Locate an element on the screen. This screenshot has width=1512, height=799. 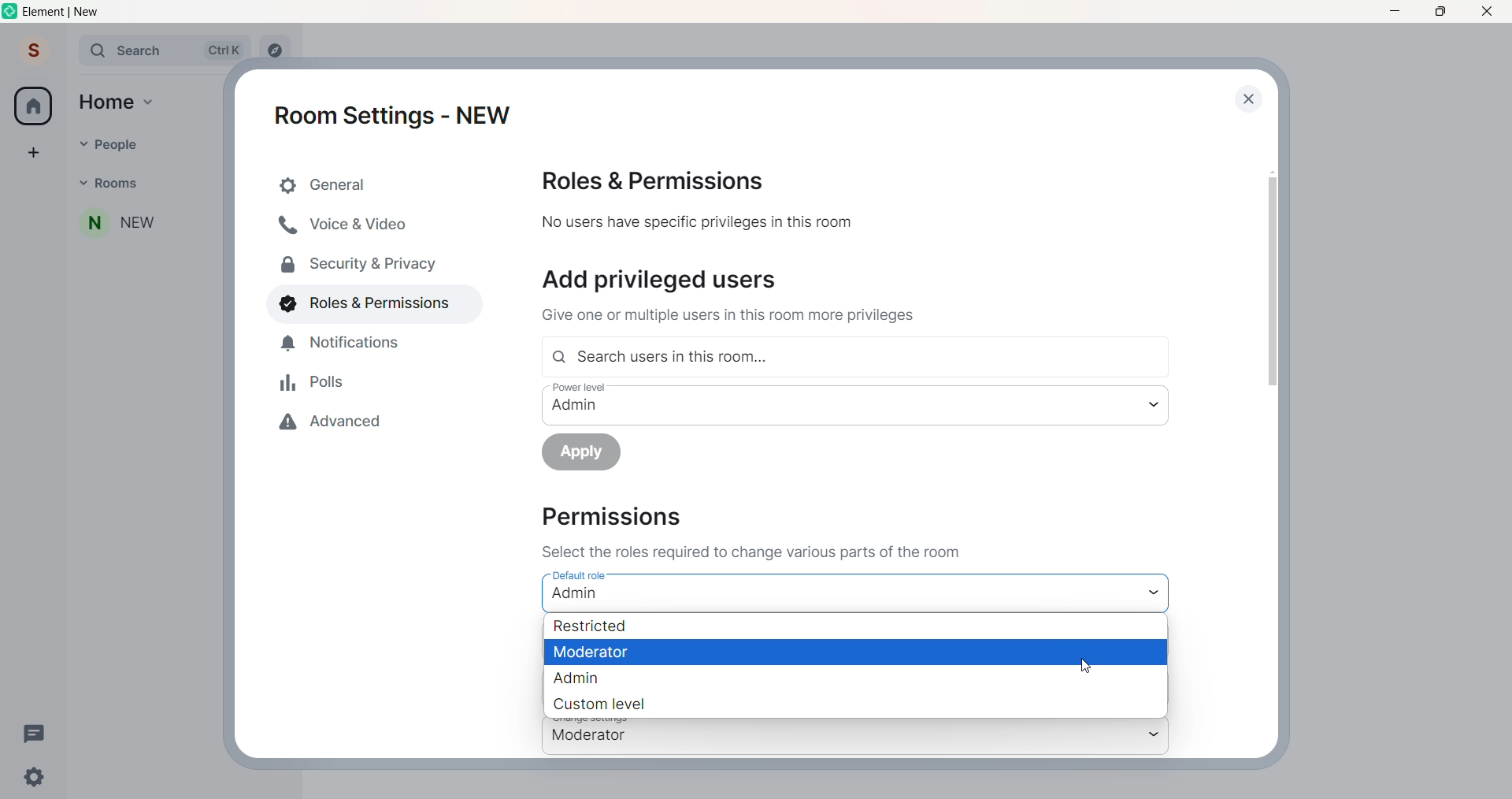
home option is located at coordinates (121, 105).